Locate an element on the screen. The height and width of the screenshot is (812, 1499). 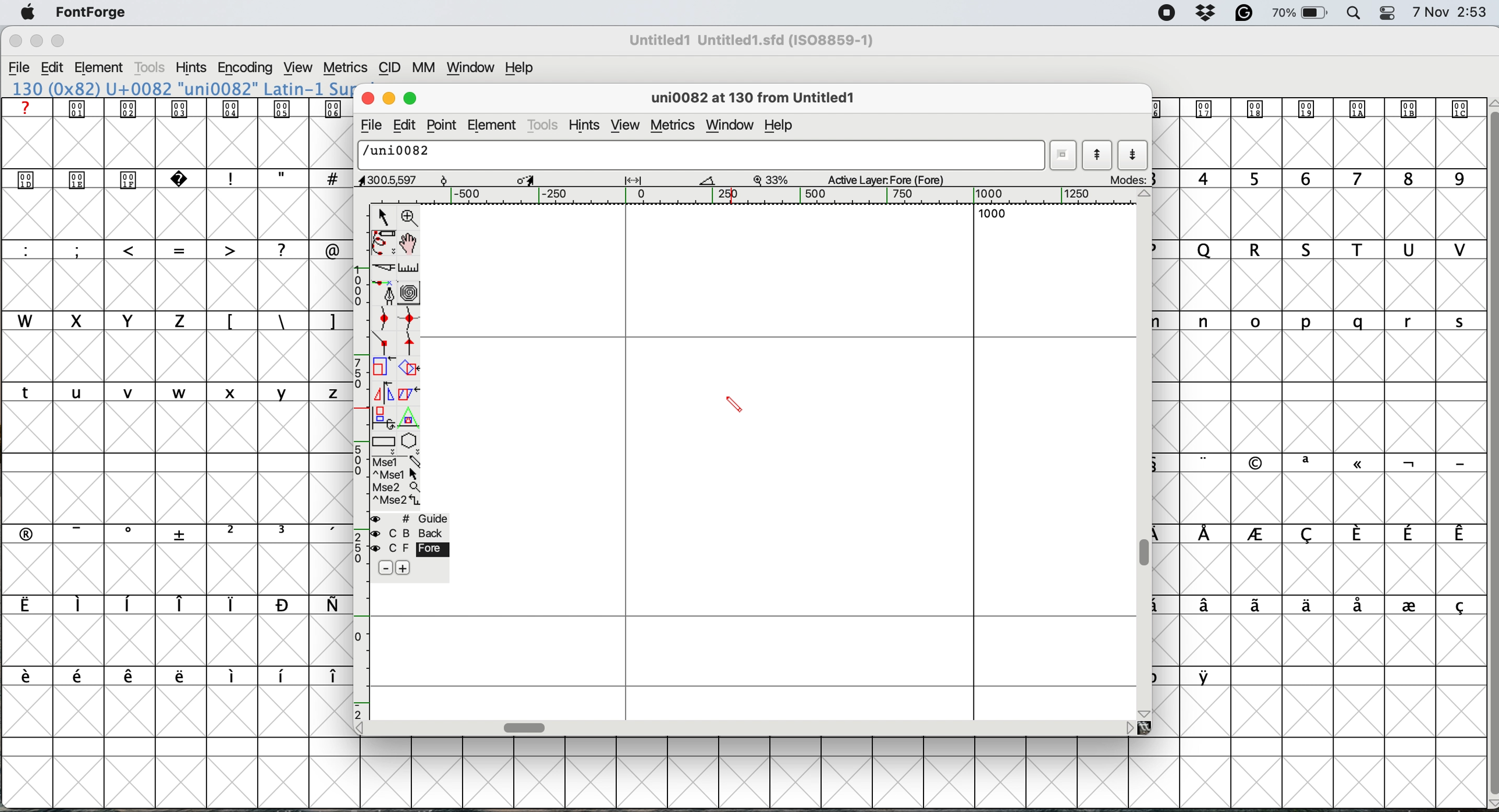
system logo is located at coordinates (24, 13).